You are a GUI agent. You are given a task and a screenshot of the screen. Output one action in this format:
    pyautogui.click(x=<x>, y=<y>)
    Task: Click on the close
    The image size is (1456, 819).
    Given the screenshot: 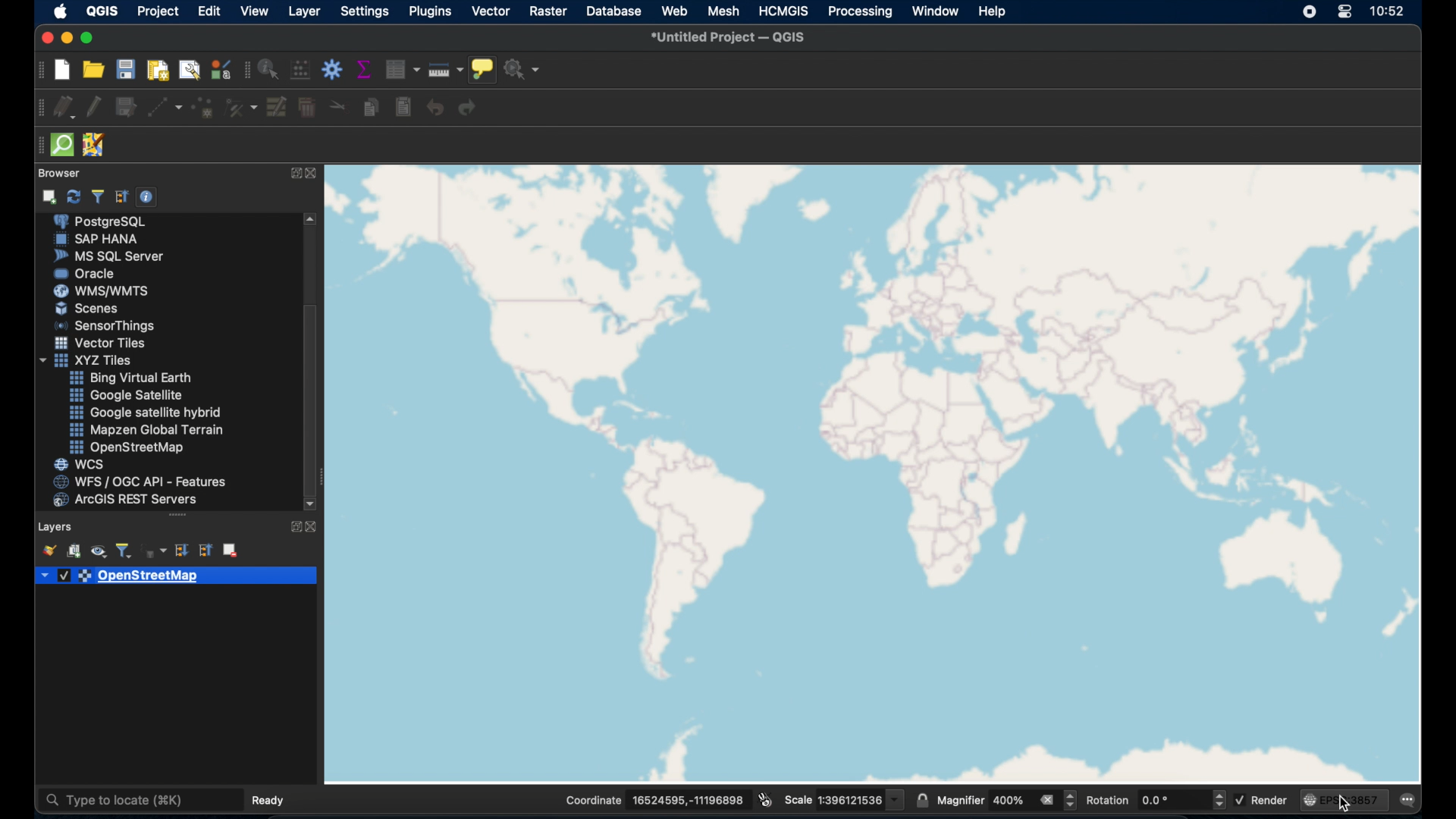 What is the action you would take?
    pyautogui.click(x=315, y=528)
    